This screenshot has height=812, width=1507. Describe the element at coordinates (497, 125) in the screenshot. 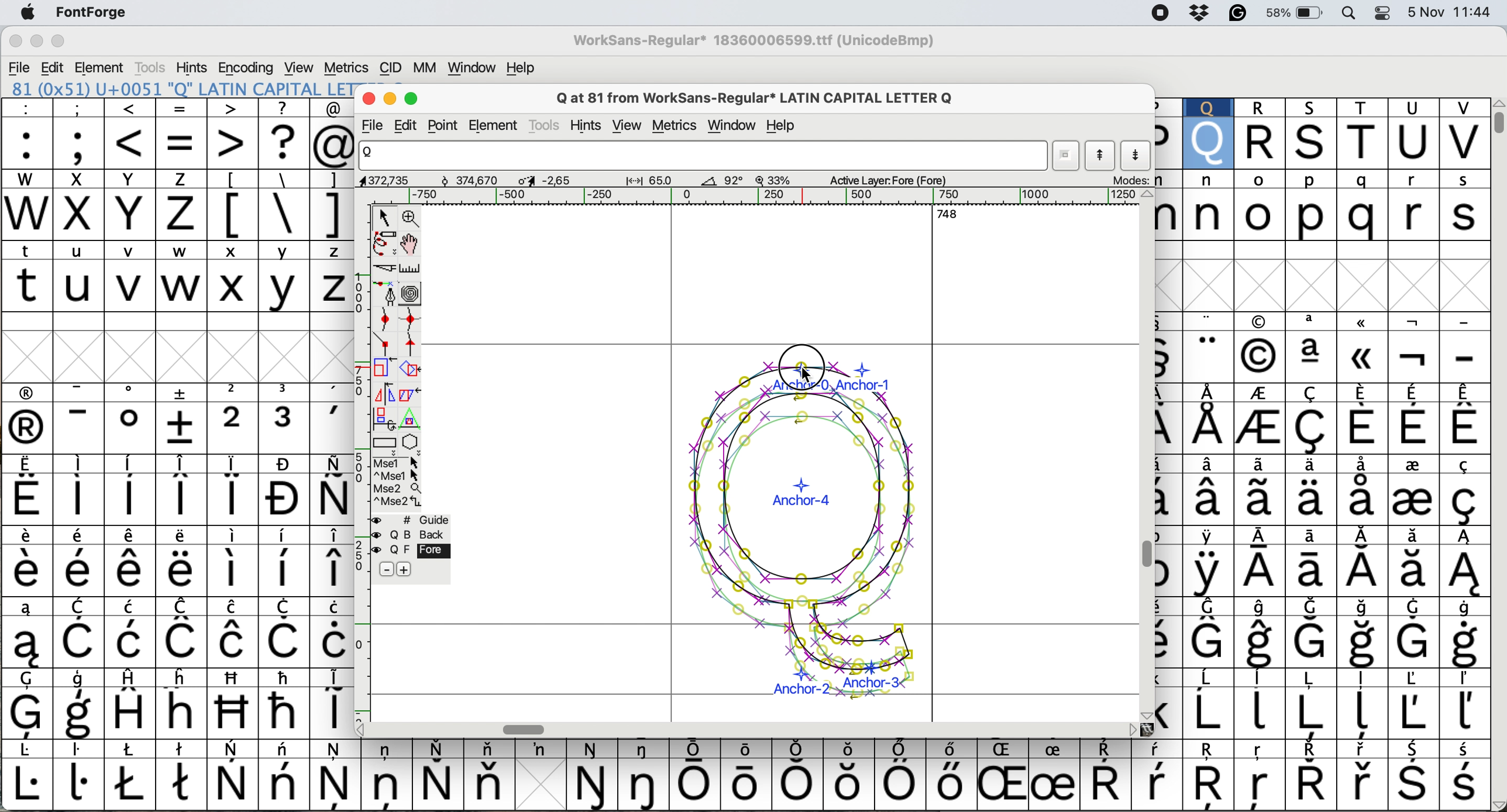

I see `element` at that location.